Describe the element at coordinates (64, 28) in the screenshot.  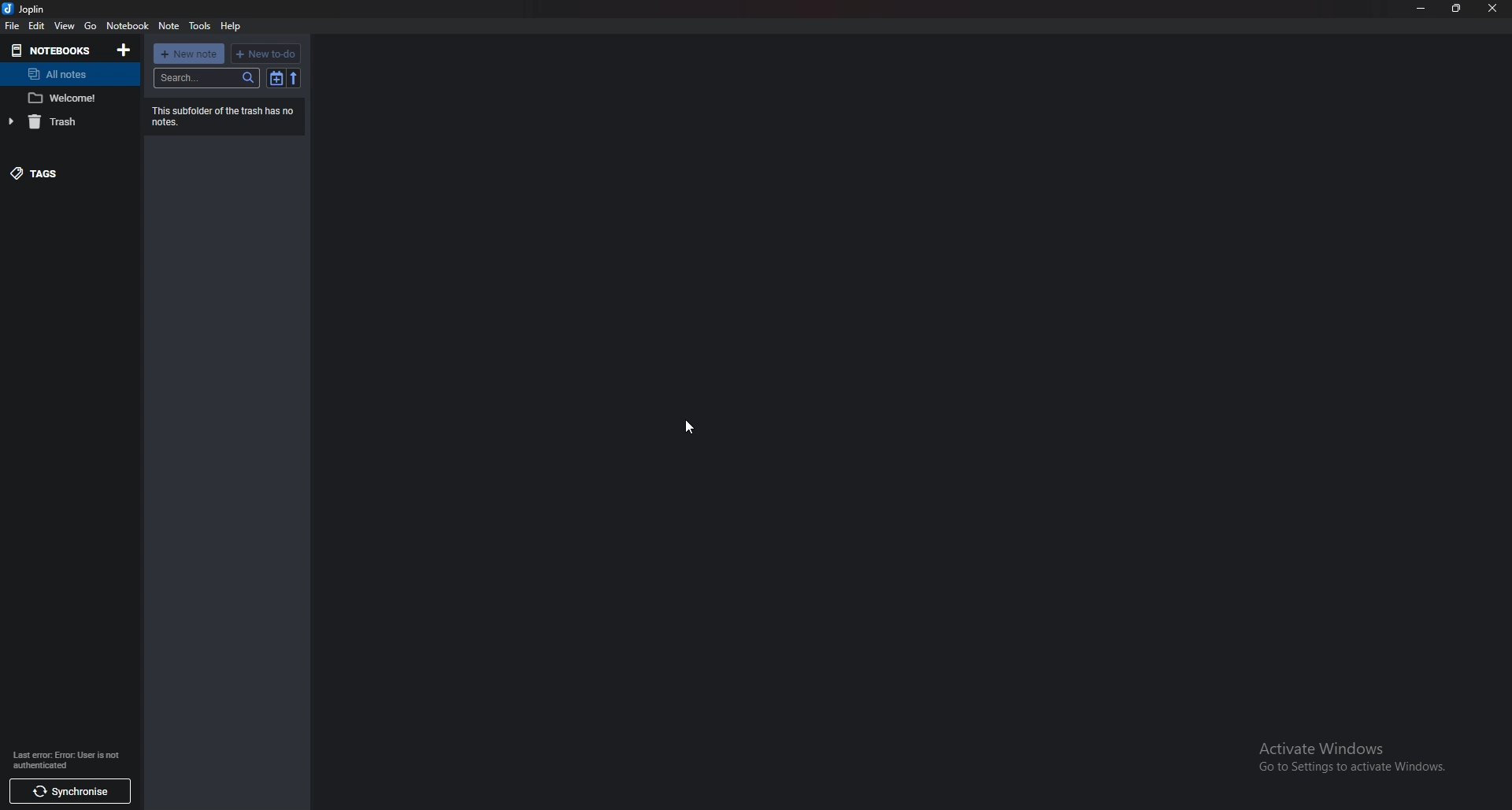
I see `view` at that location.